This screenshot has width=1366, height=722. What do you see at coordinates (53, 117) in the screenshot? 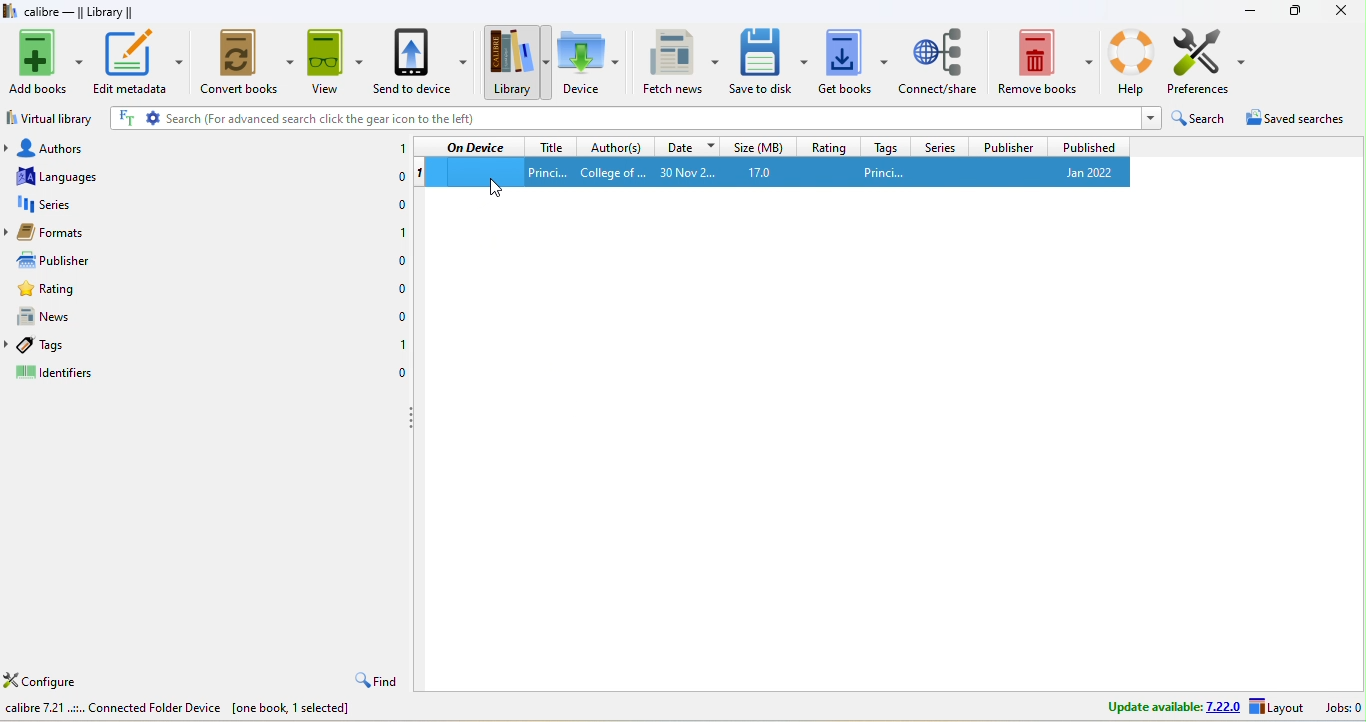
I see `virtual library` at bounding box center [53, 117].